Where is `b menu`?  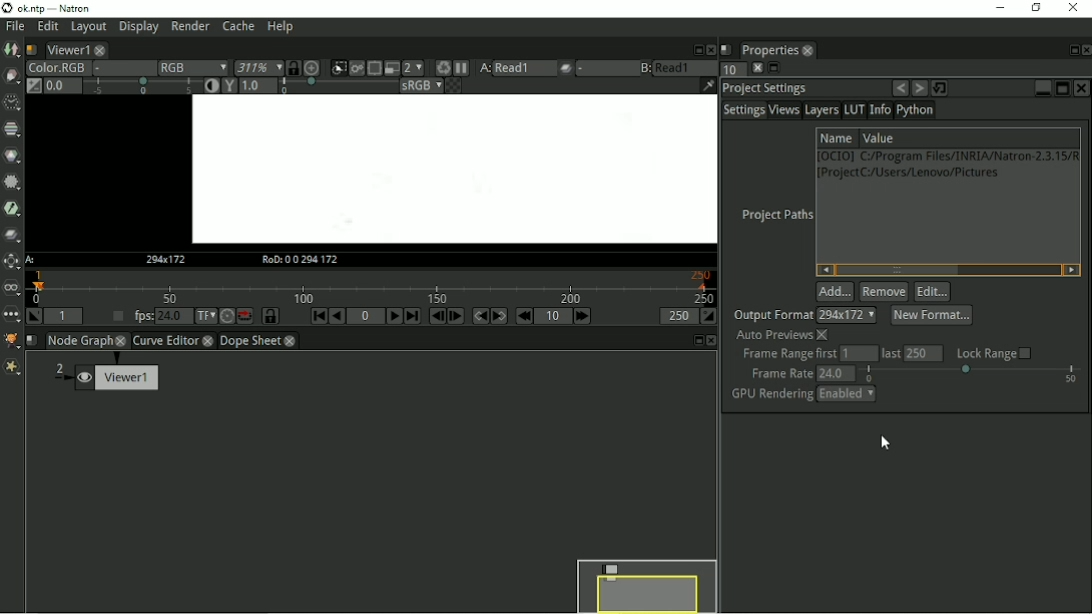 b menu is located at coordinates (686, 69).